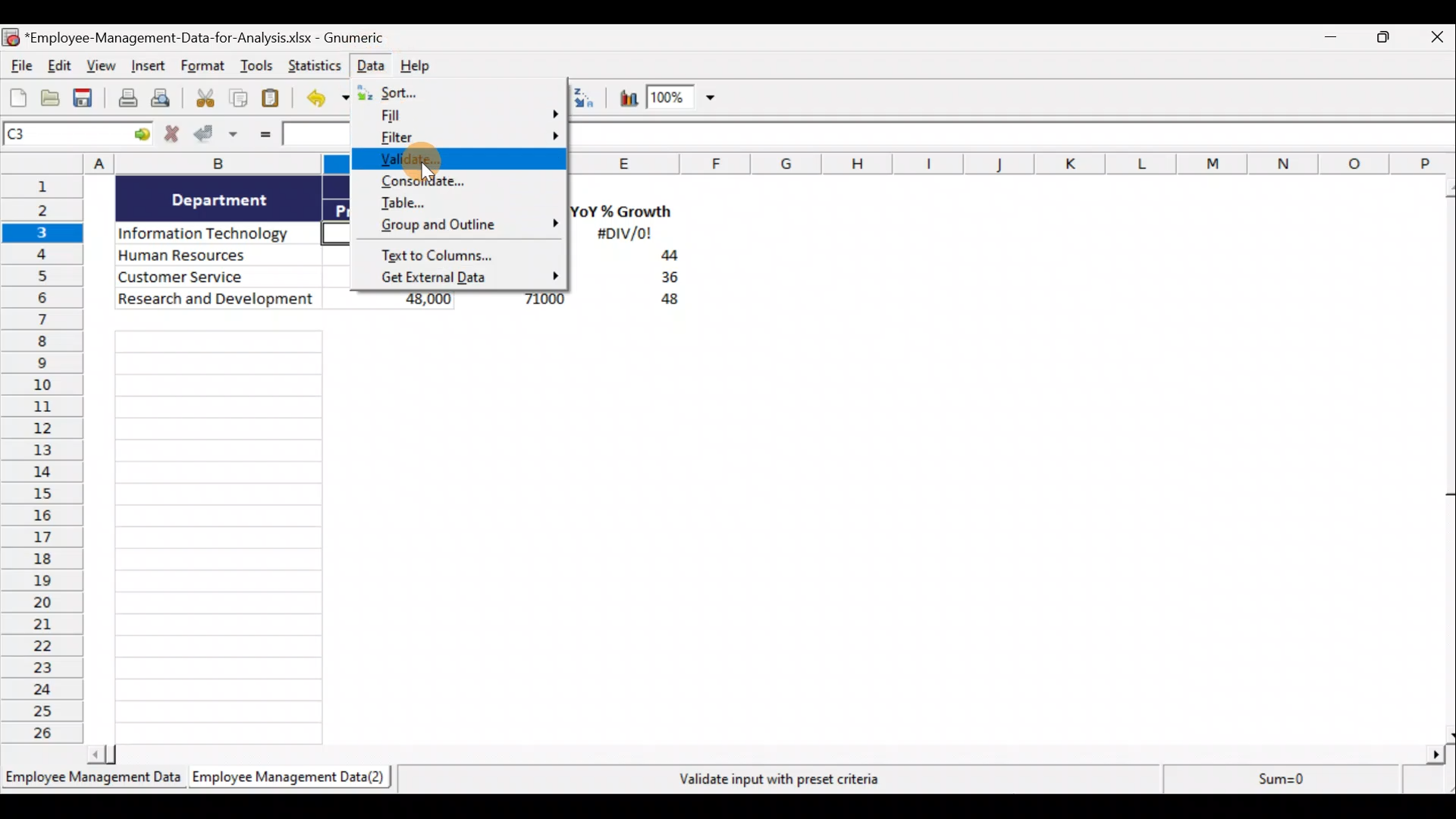  Describe the element at coordinates (463, 227) in the screenshot. I see `Group and outline` at that location.